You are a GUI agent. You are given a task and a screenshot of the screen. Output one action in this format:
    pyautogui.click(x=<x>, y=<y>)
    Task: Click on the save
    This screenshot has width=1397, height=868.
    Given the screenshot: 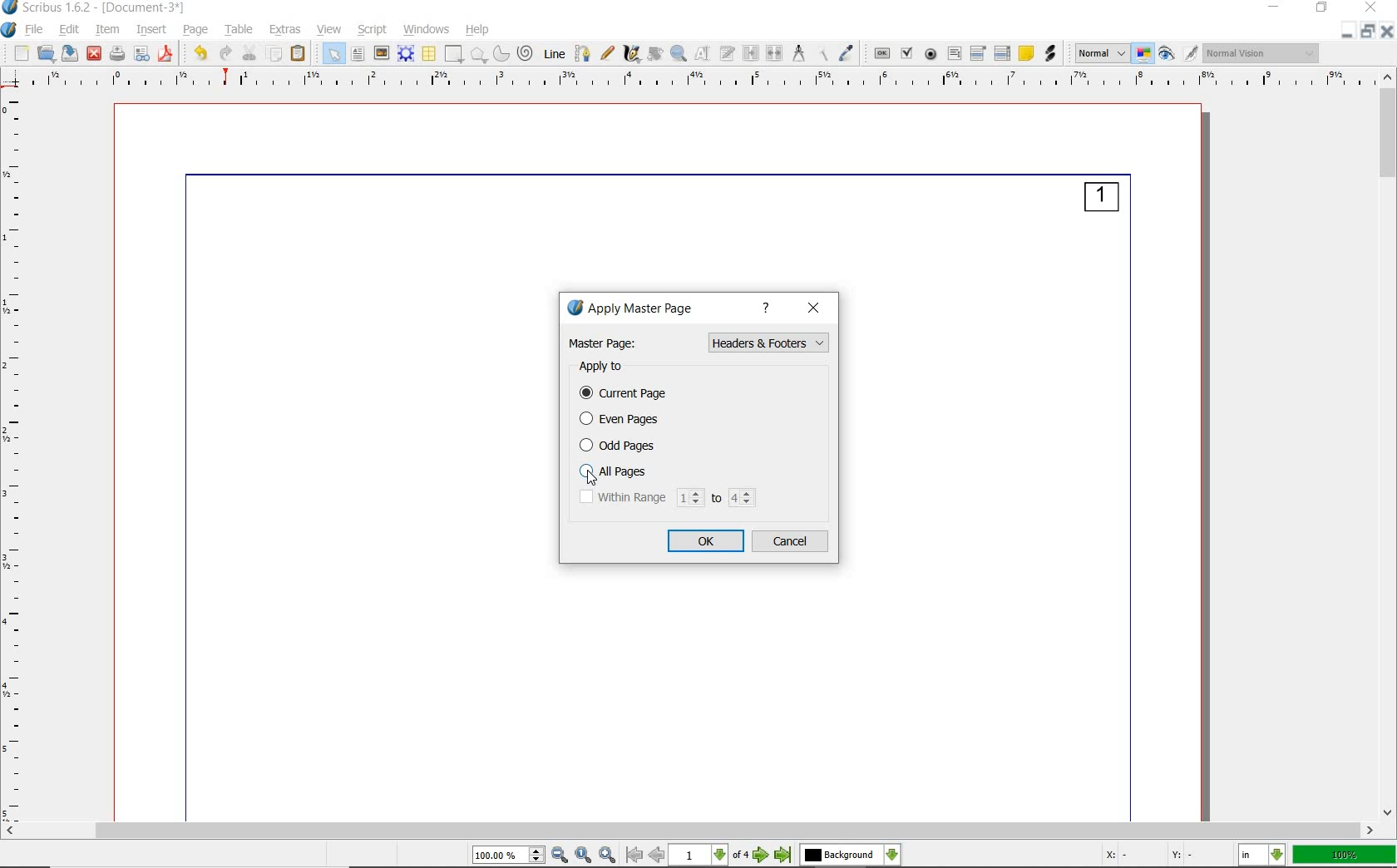 What is the action you would take?
    pyautogui.click(x=68, y=53)
    